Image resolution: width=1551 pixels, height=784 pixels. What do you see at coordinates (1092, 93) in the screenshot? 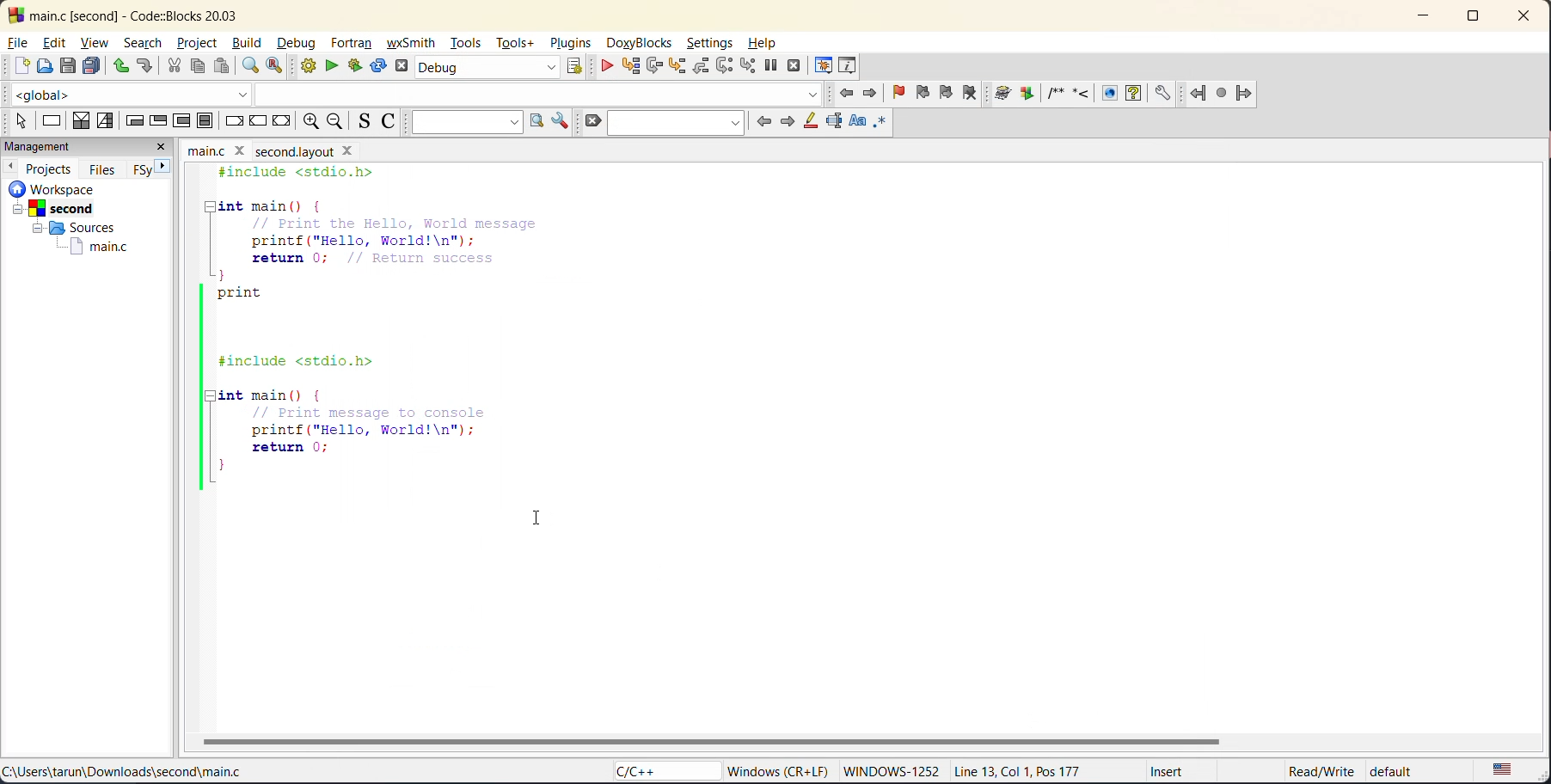
I see `doxyblocks references` at bounding box center [1092, 93].